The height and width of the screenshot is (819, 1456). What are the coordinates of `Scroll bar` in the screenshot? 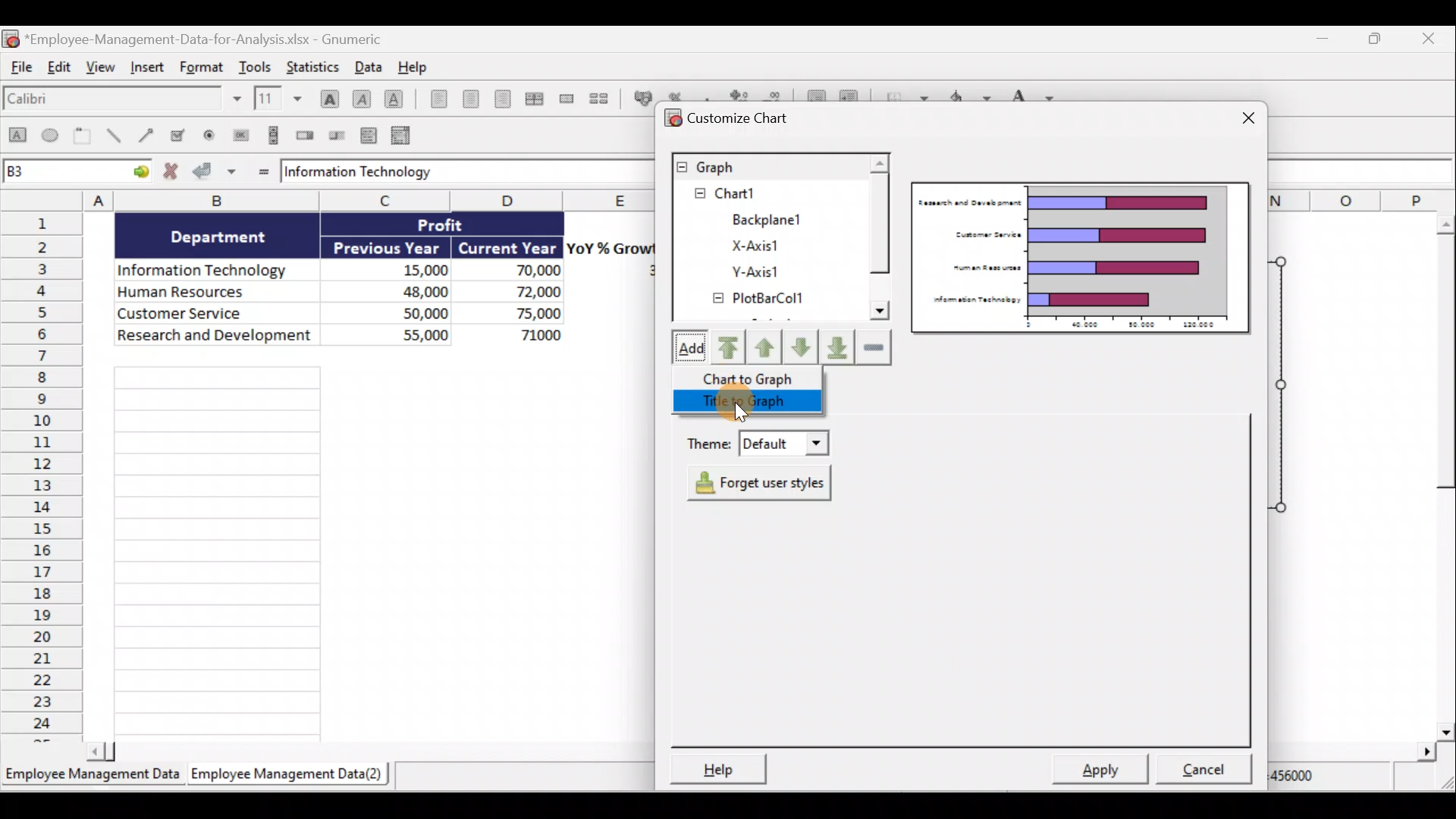 It's located at (363, 752).